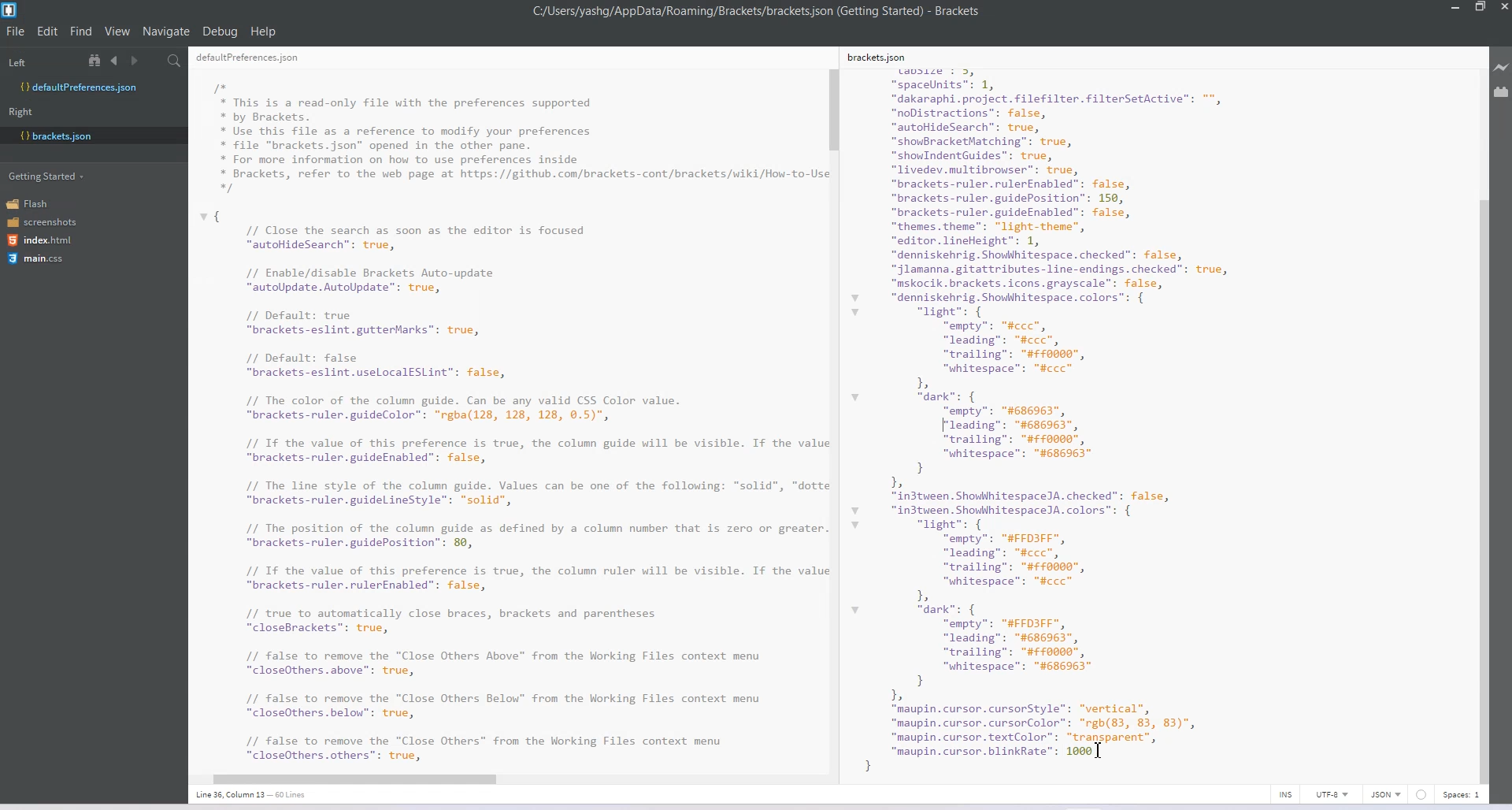 Image resolution: width=1512 pixels, height=810 pixels. Describe the element at coordinates (35, 258) in the screenshot. I see `main.css` at that location.